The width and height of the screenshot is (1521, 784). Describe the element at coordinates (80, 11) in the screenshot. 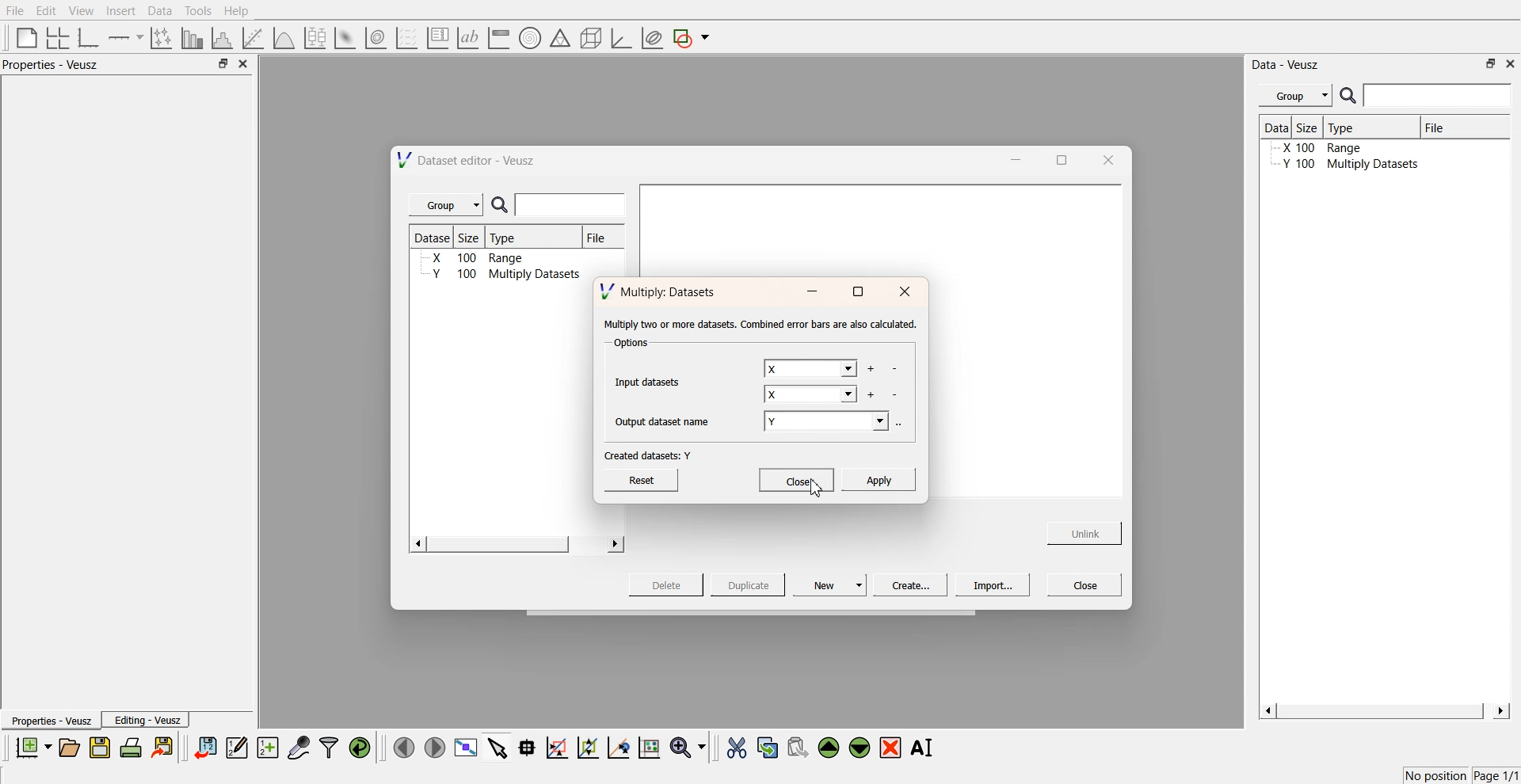

I see `View` at that location.